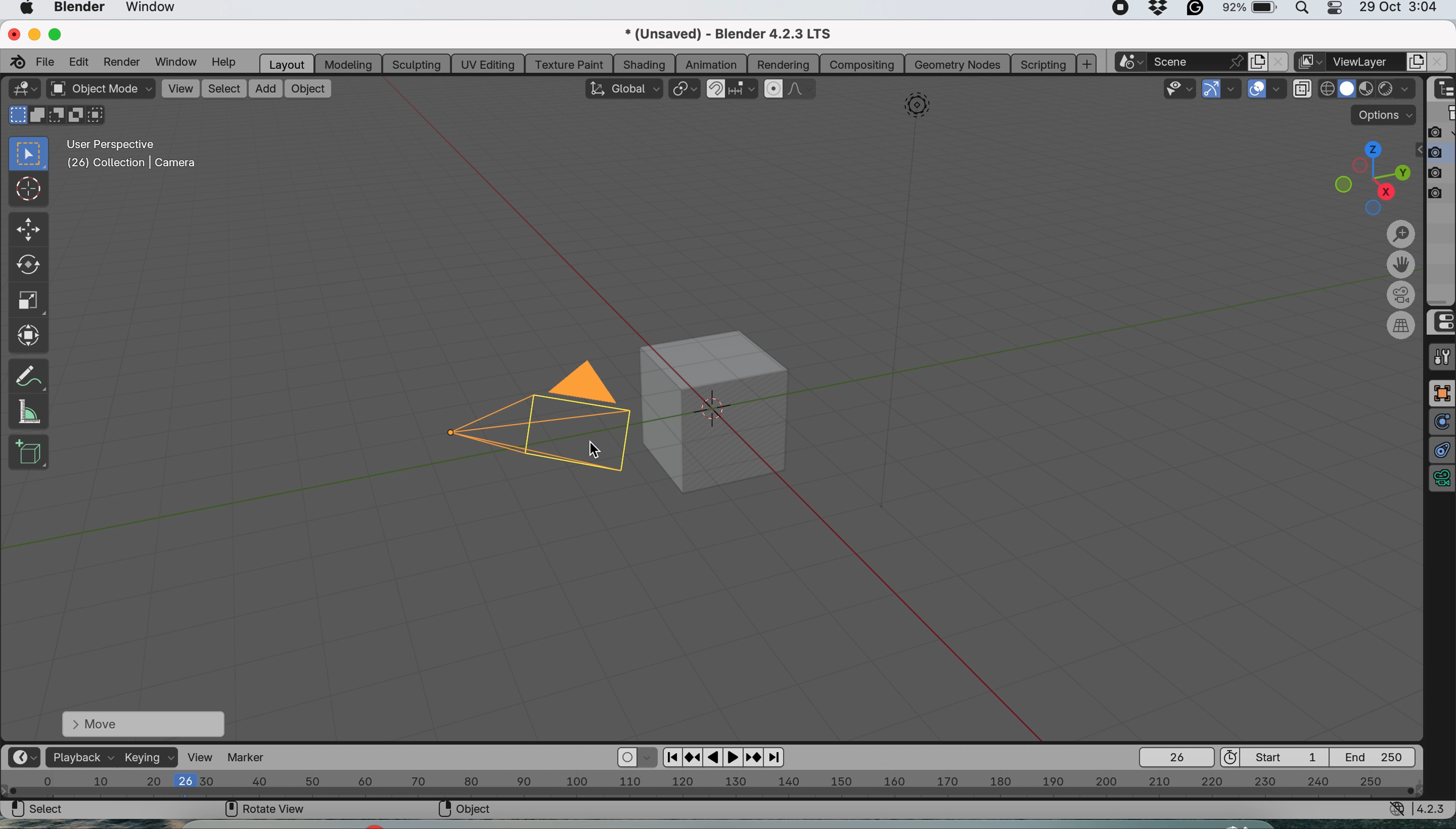 The width and height of the screenshot is (1456, 829). Describe the element at coordinates (174, 61) in the screenshot. I see `window` at that location.